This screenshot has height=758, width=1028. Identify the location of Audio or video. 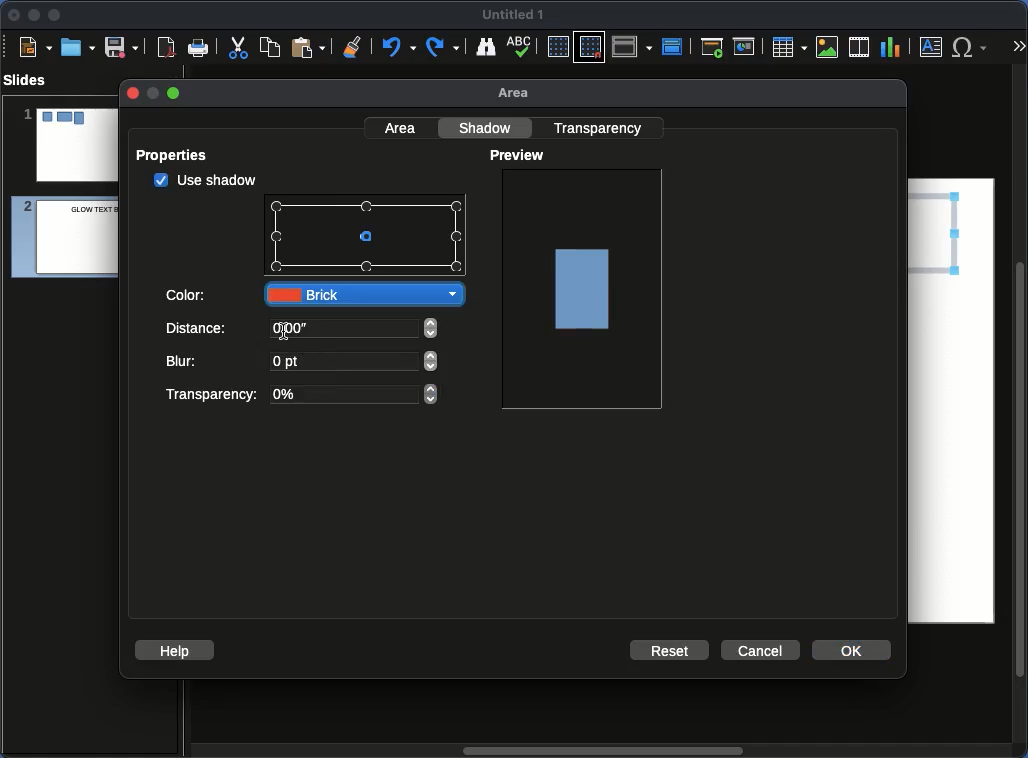
(860, 47).